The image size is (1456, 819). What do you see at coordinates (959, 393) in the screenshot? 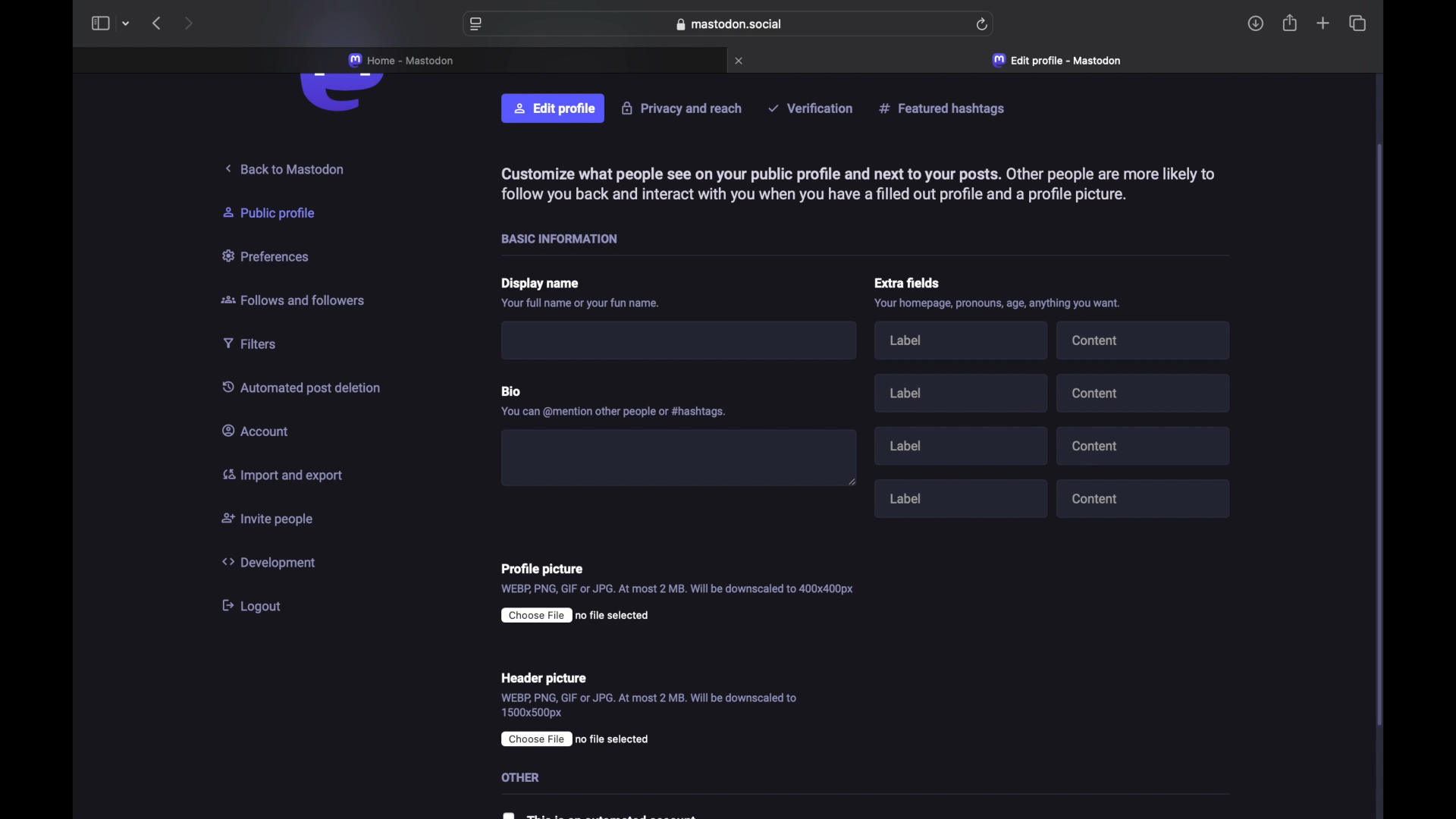
I see `label` at bounding box center [959, 393].